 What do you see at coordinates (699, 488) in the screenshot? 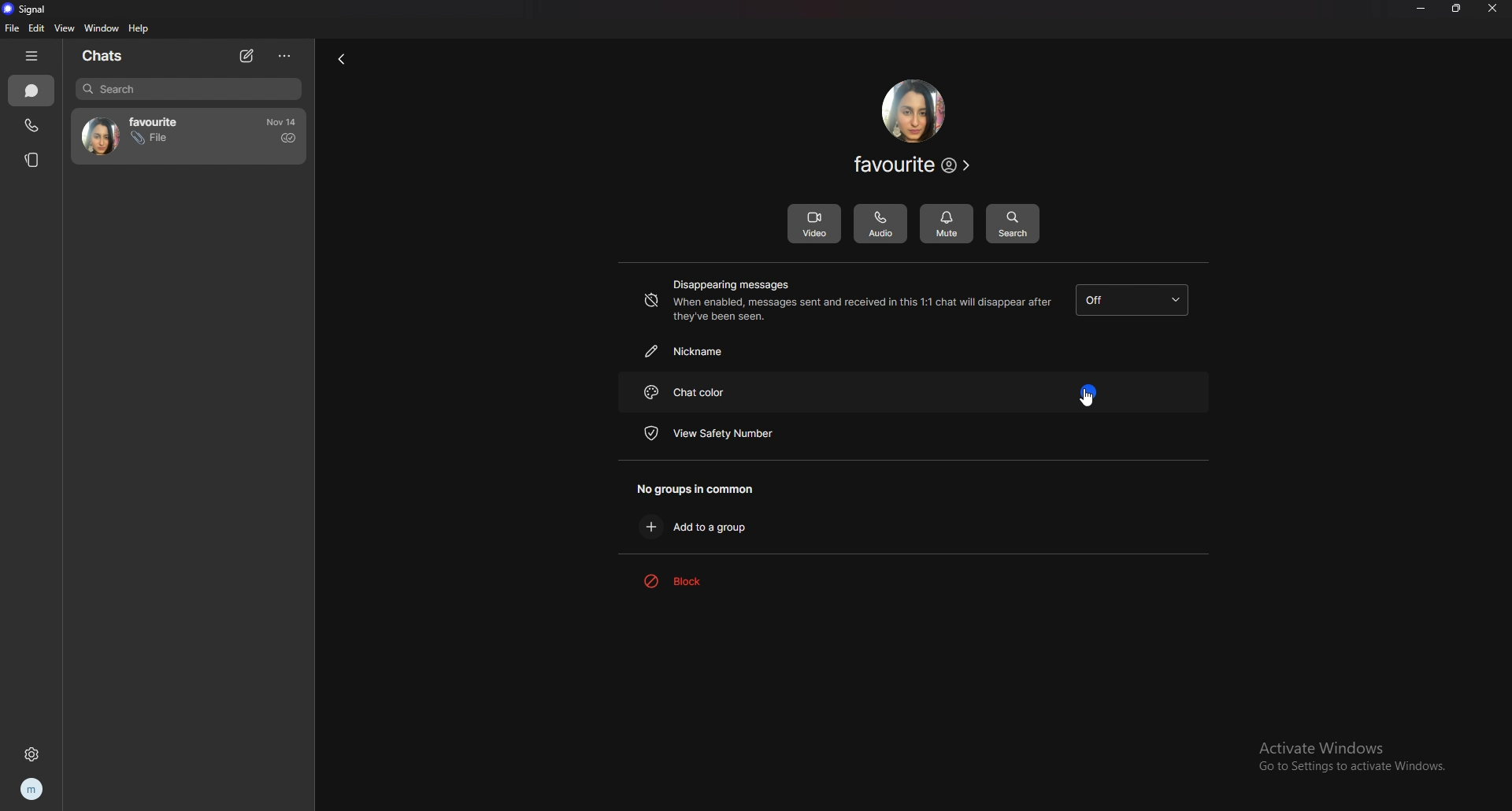
I see `no groups in common` at bounding box center [699, 488].